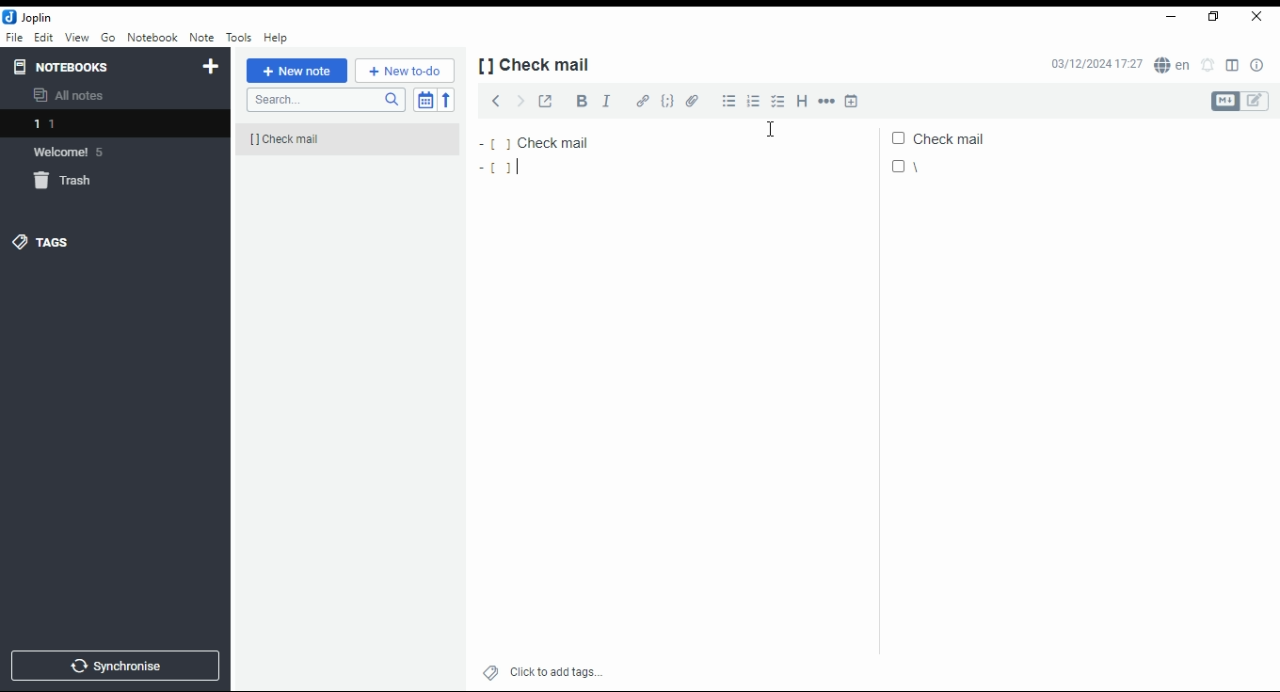  What do you see at coordinates (425, 99) in the screenshot?
I see `toggle sort order field` at bounding box center [425, 99].